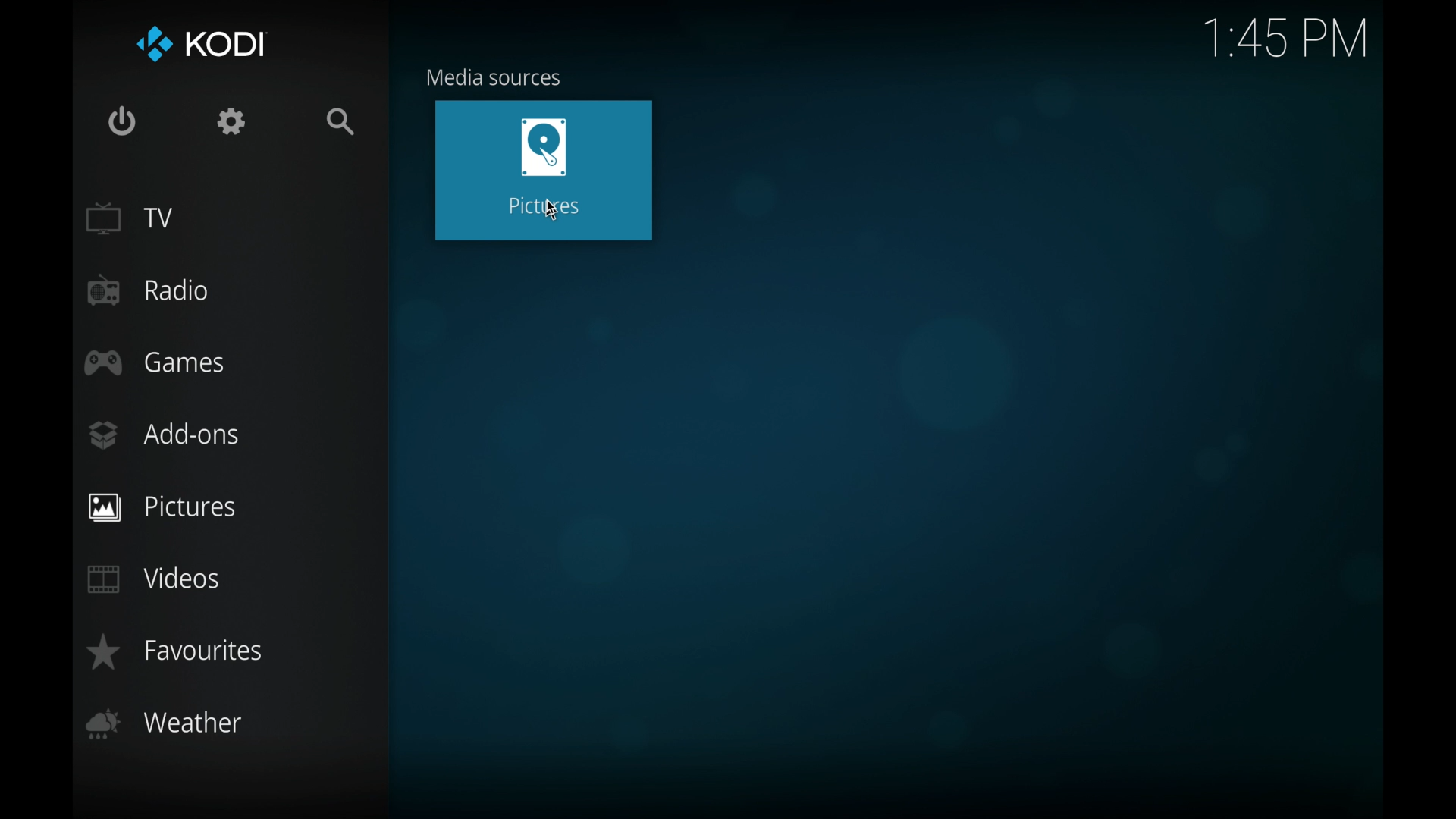  What do you see at coordinates (149, 290) in the screenshot?
I see `radio` at bounding box center [149, 290].